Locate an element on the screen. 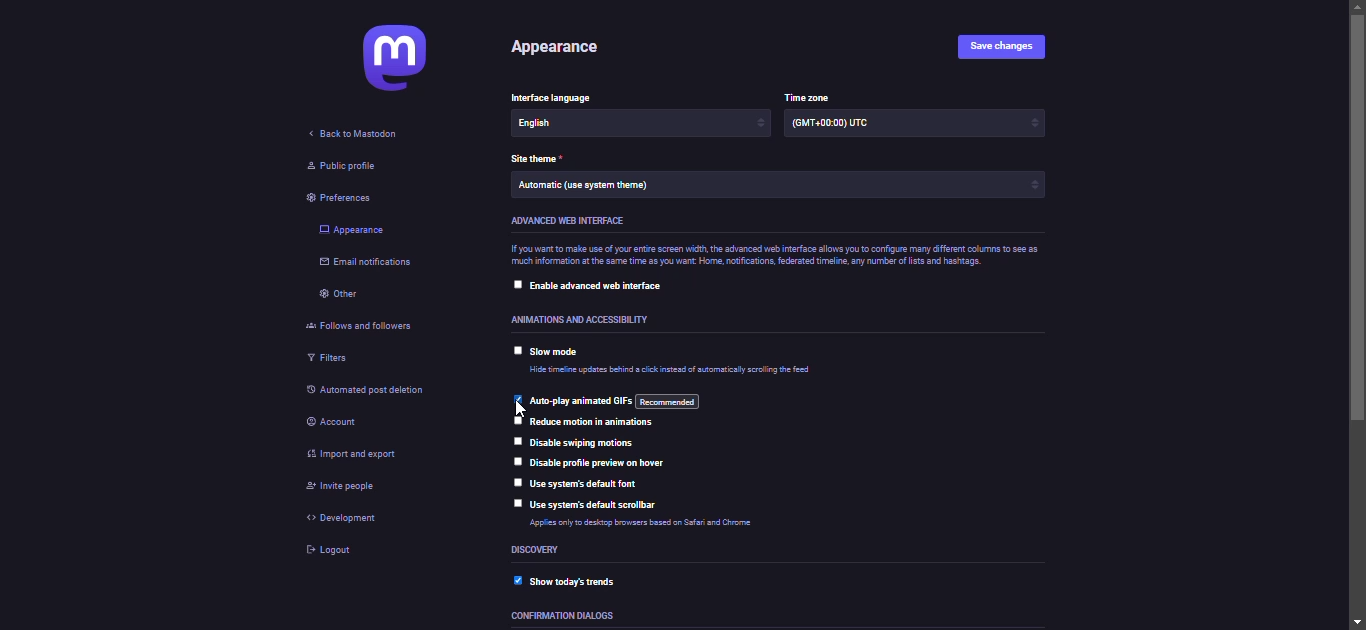  disable profile preview on hover is located at coordinates (616, 463).